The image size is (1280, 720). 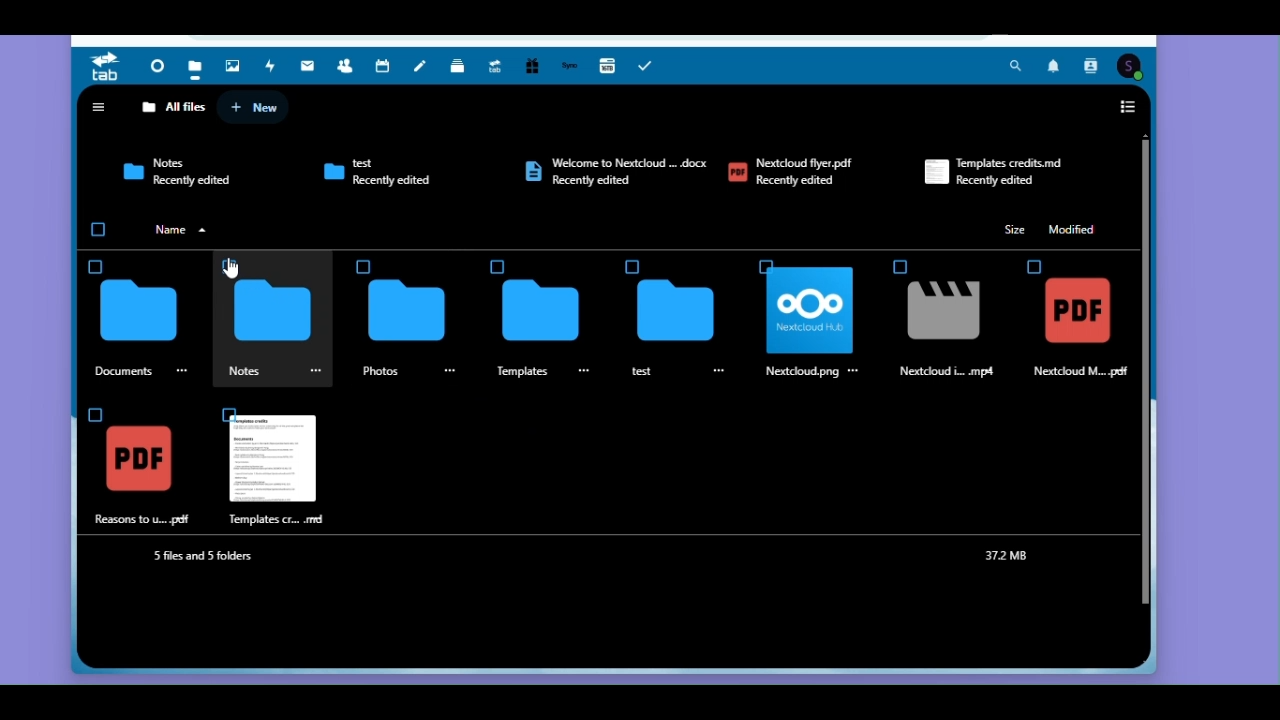 I want to click on Photos, so click(x=234, y=62).